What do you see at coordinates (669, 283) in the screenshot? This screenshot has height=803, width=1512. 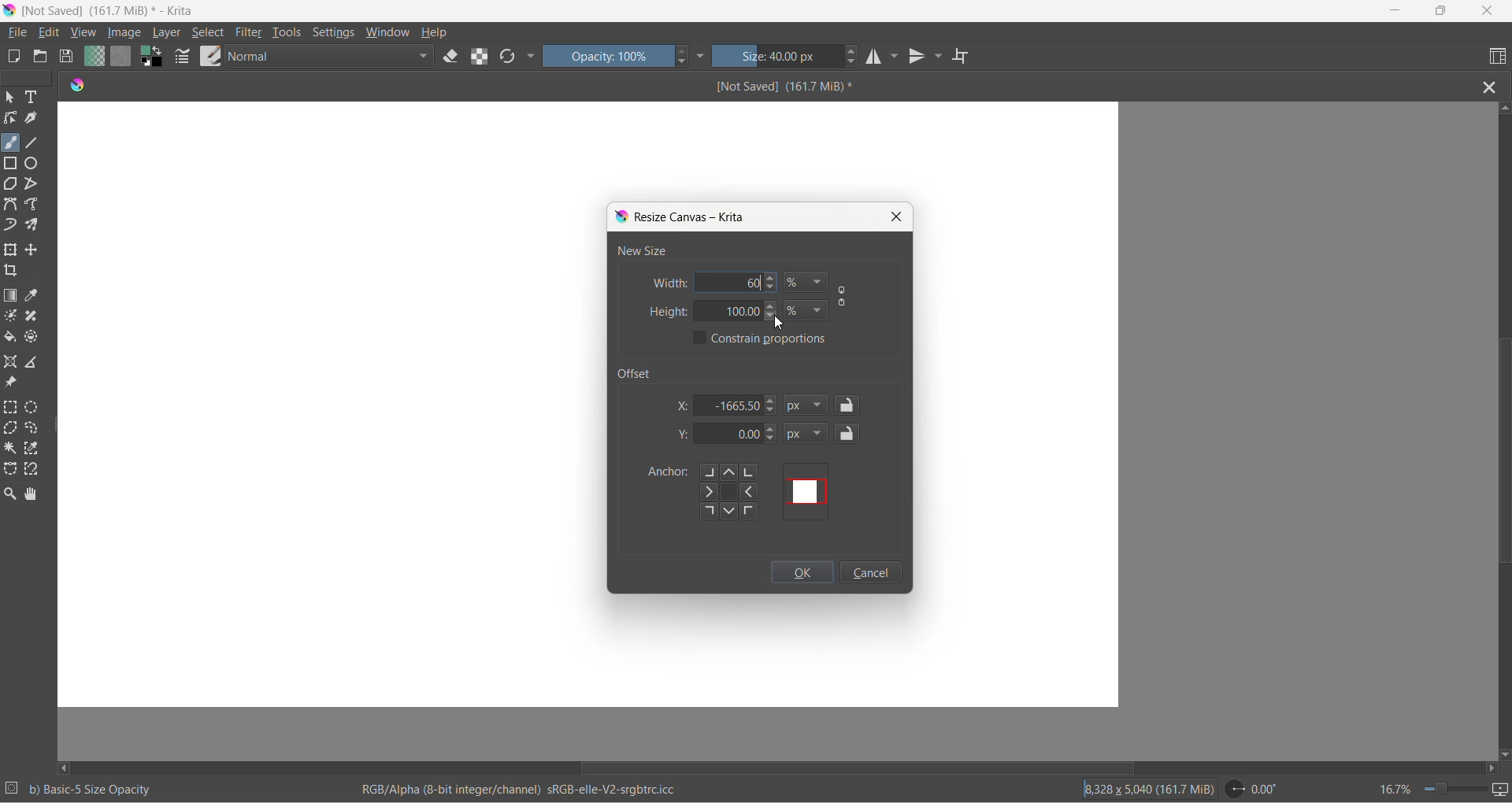 I see `width` at bounding box center [669, 283].